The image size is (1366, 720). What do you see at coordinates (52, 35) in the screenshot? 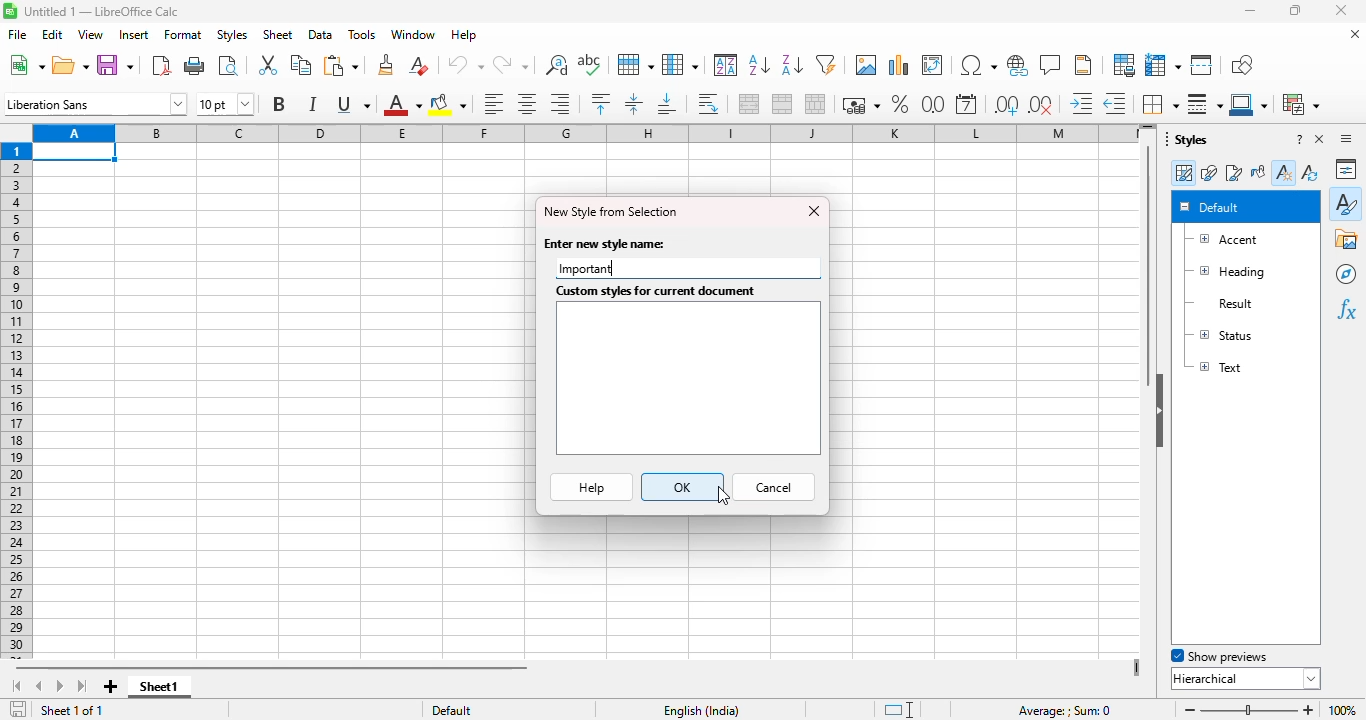
I see `edit` at bounding box center [52, 35].